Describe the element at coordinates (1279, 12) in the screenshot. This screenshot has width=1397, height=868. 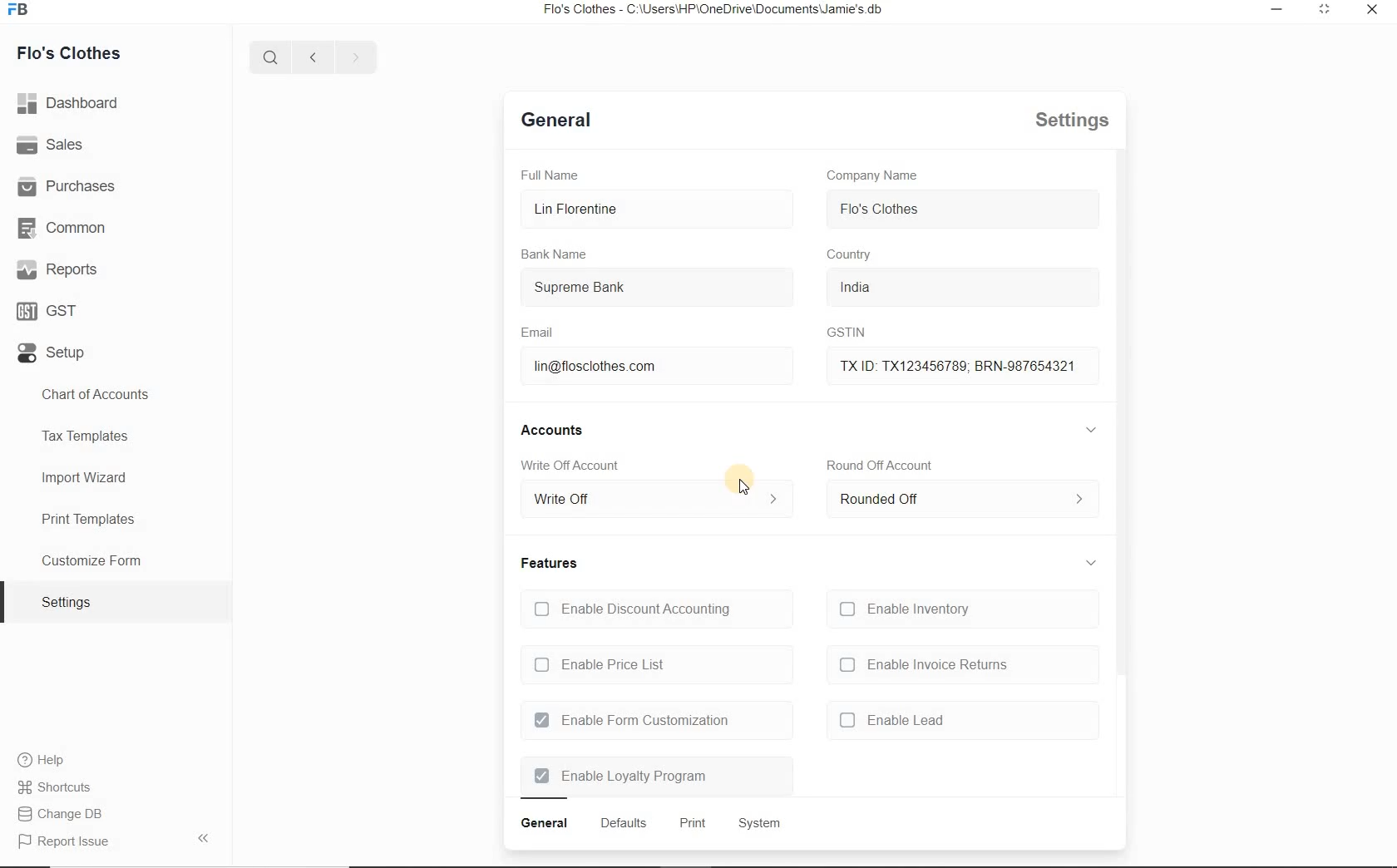
I see `restore` at that location.